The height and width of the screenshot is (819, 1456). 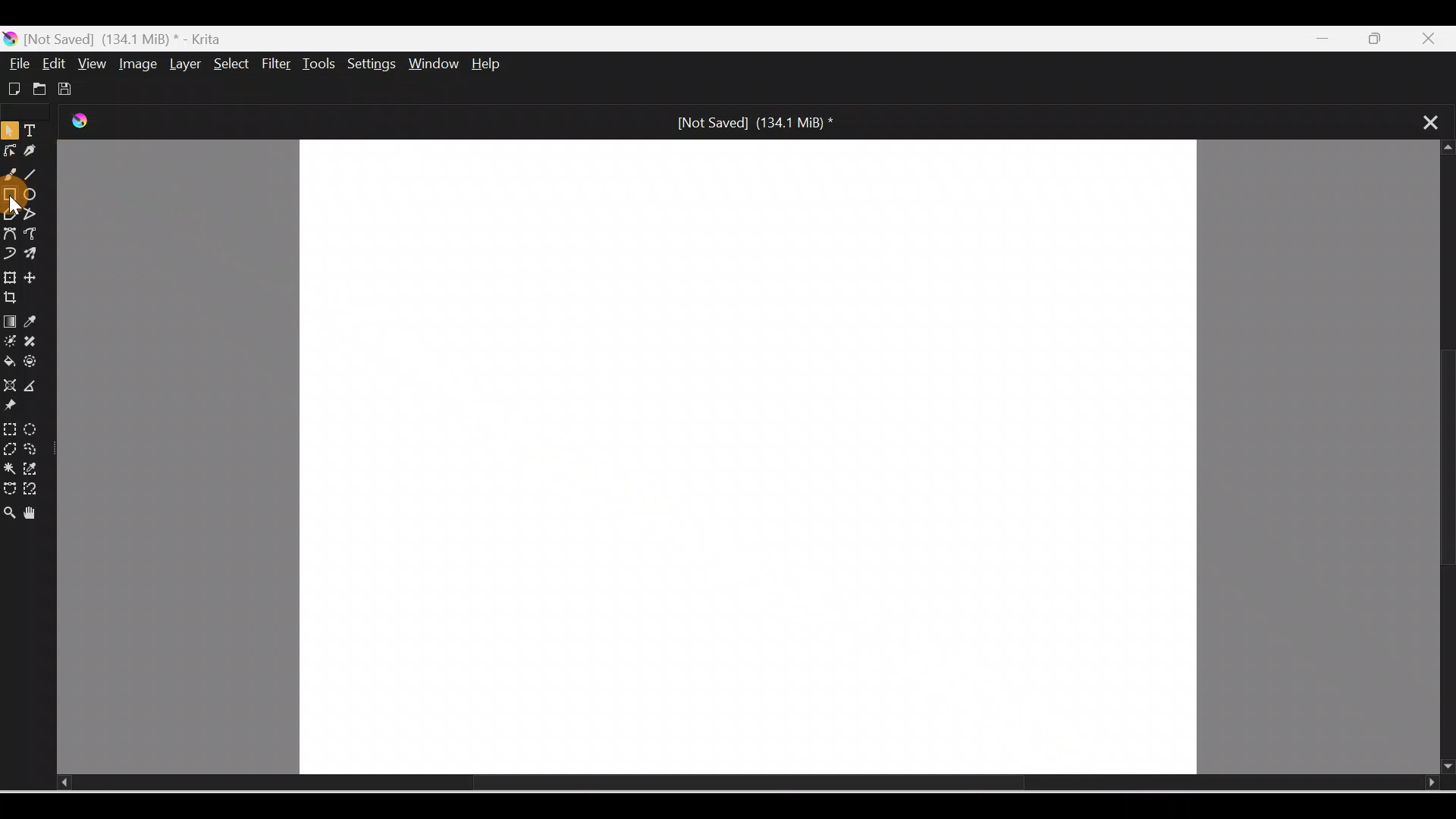 What do you see at coordinates (9, 508) in the screenshot?
I see `Zoom tool` at bounding box center [9, 508].